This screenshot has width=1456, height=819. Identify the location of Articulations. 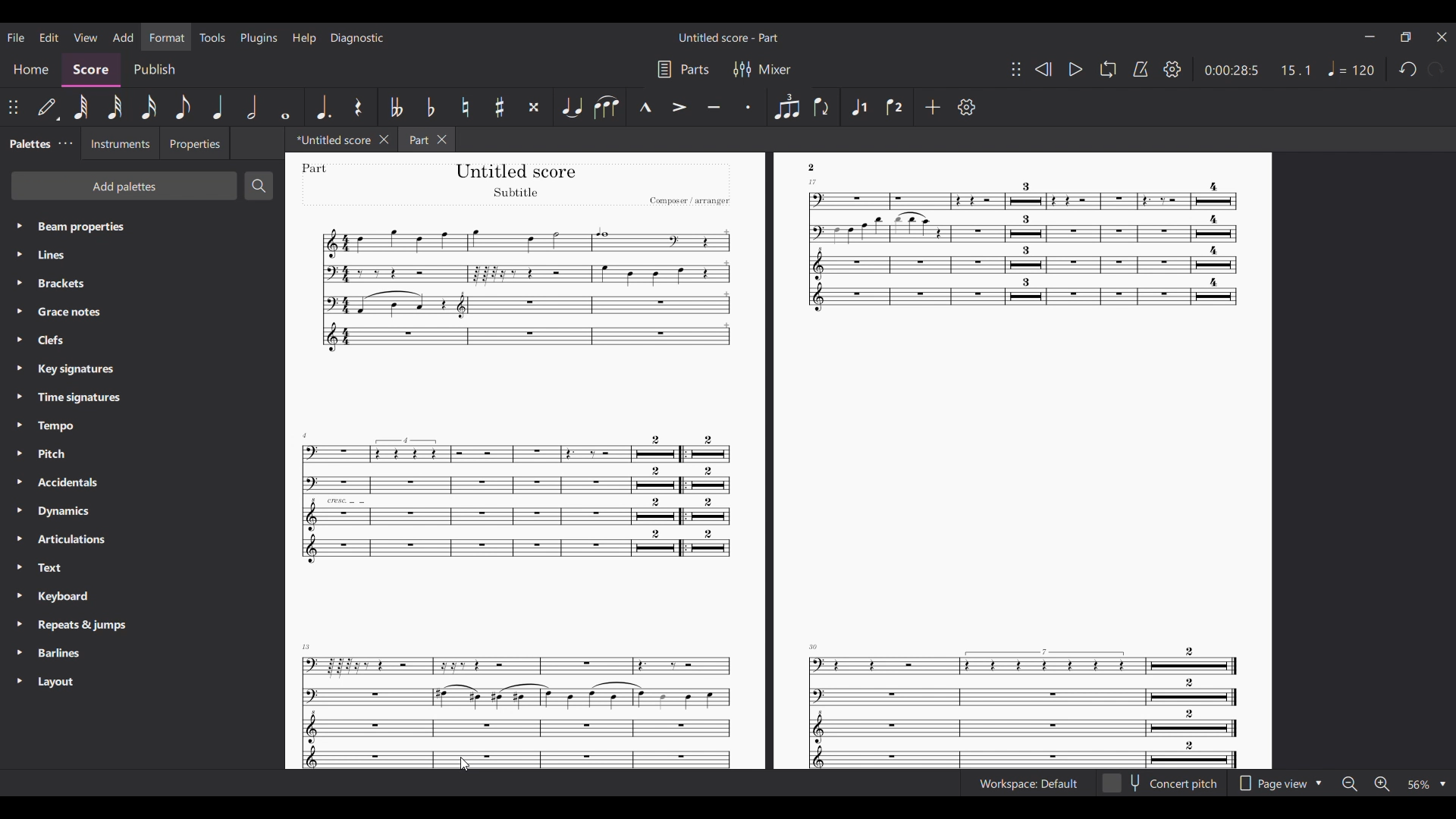
(64, 538).